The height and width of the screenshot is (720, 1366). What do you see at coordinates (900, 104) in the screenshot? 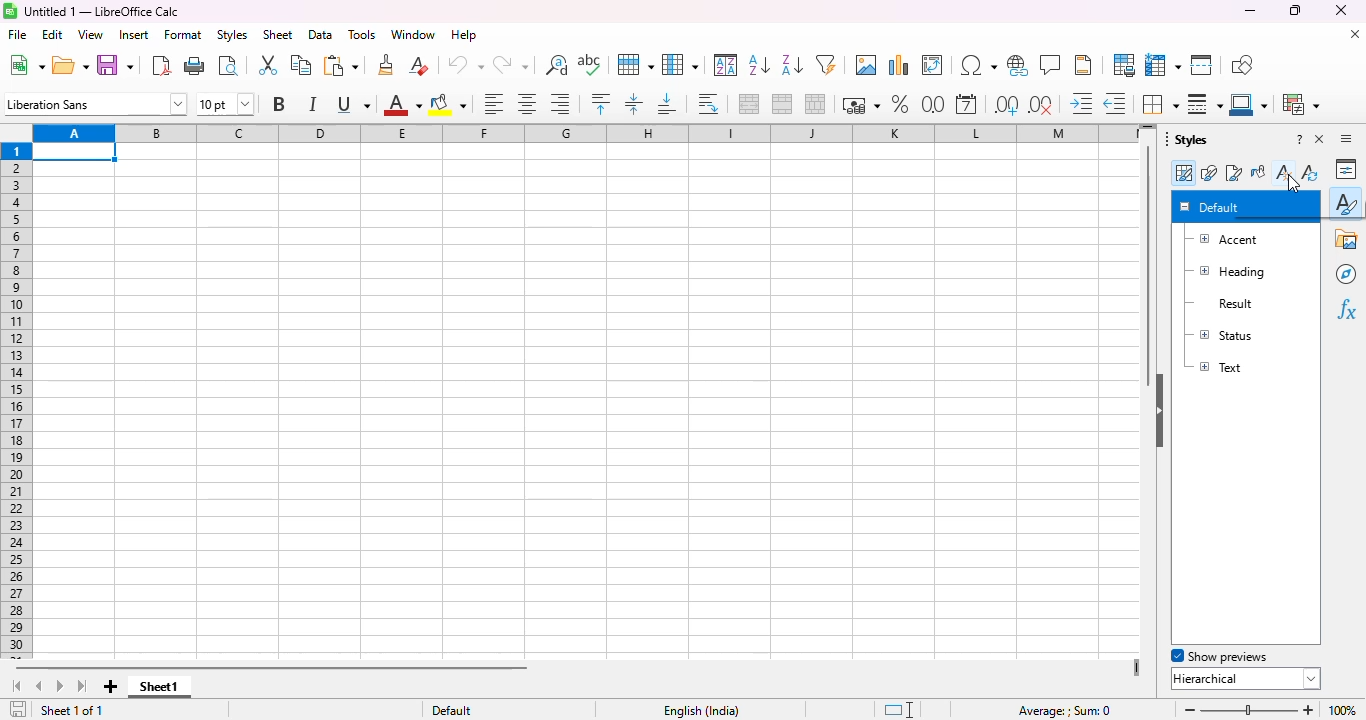
I see `format as percent` at bounding box center [900, 104].